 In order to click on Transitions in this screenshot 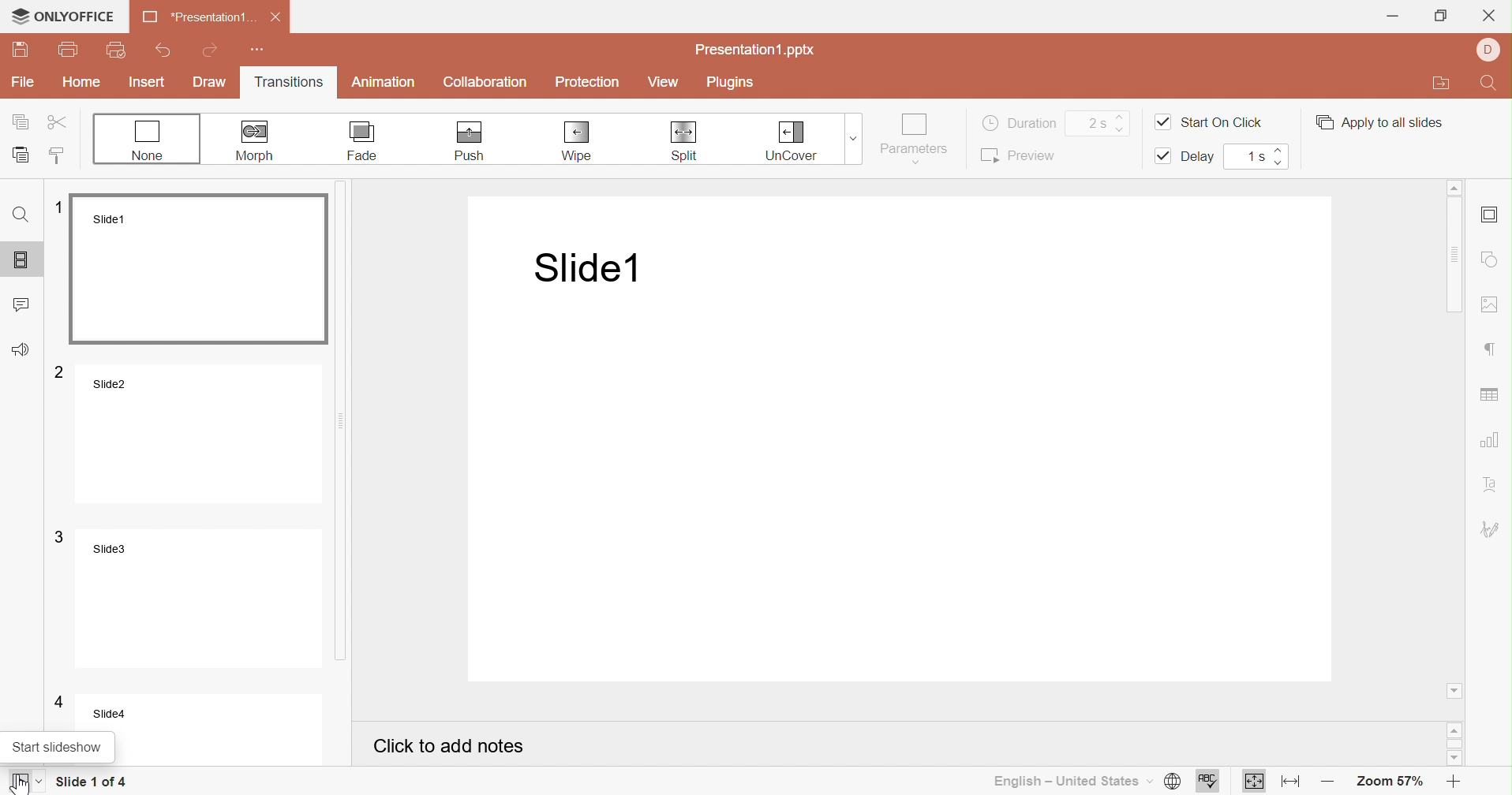, I will do `click(294, 84)`.